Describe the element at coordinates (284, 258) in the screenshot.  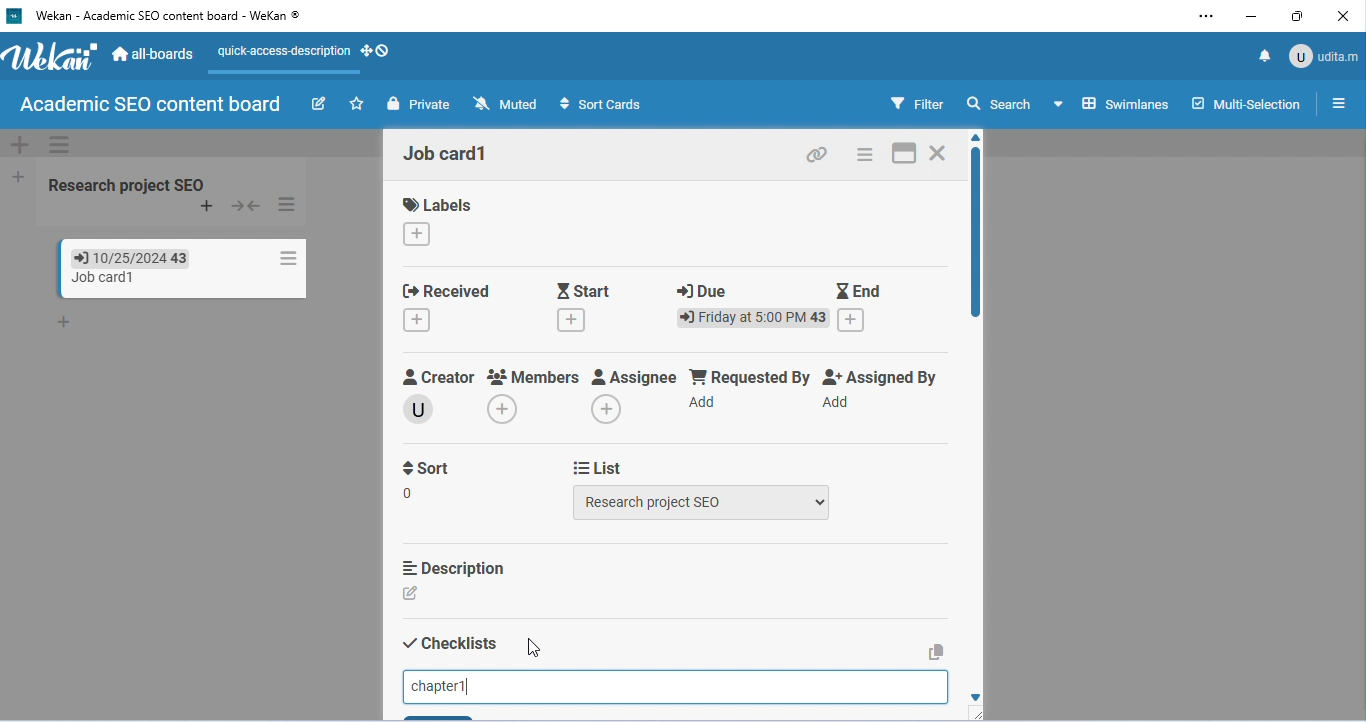
I see `card actions` at that location.